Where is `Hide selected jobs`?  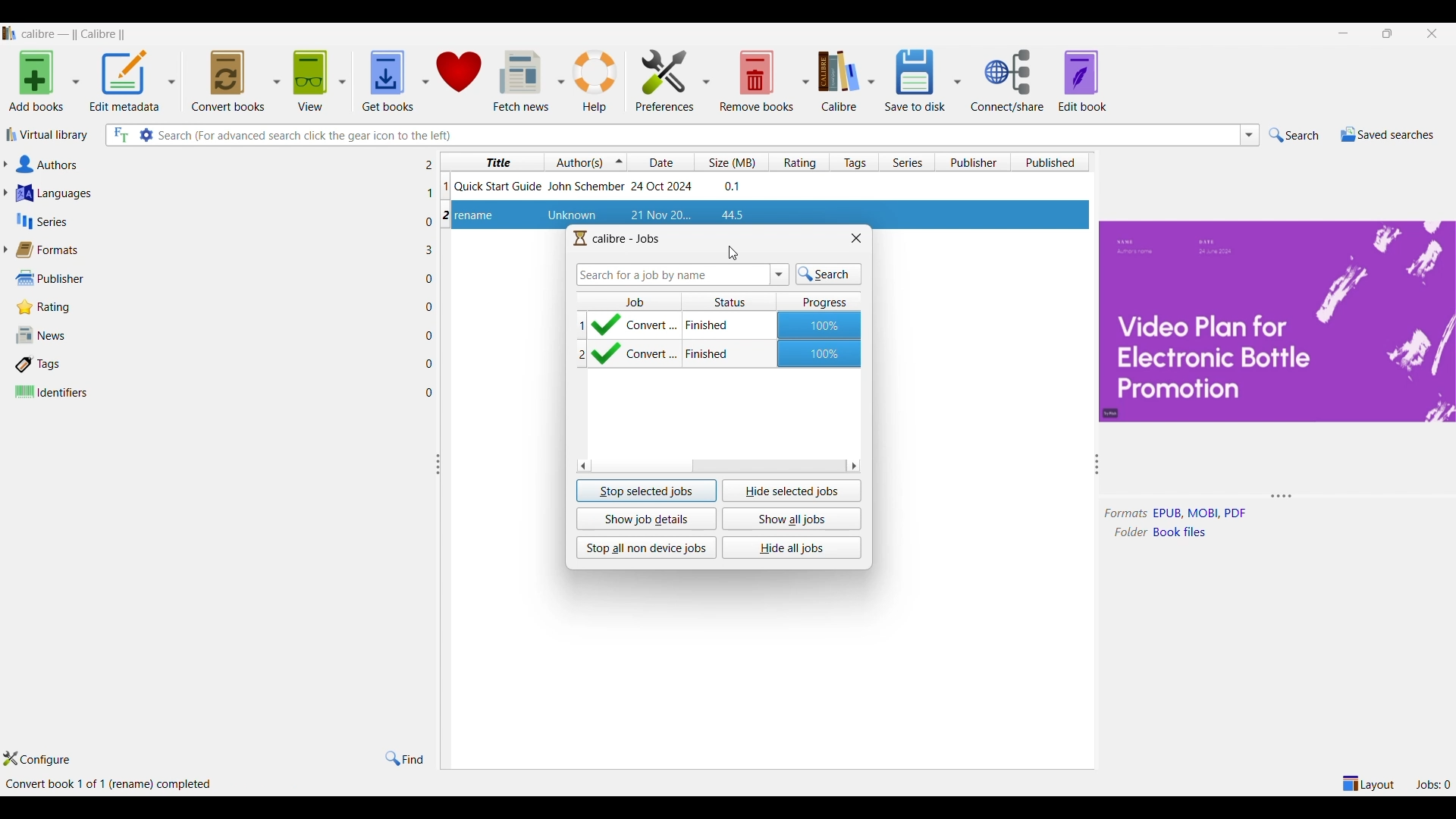 Hide selected jobs is located at coordinates (792, 491).